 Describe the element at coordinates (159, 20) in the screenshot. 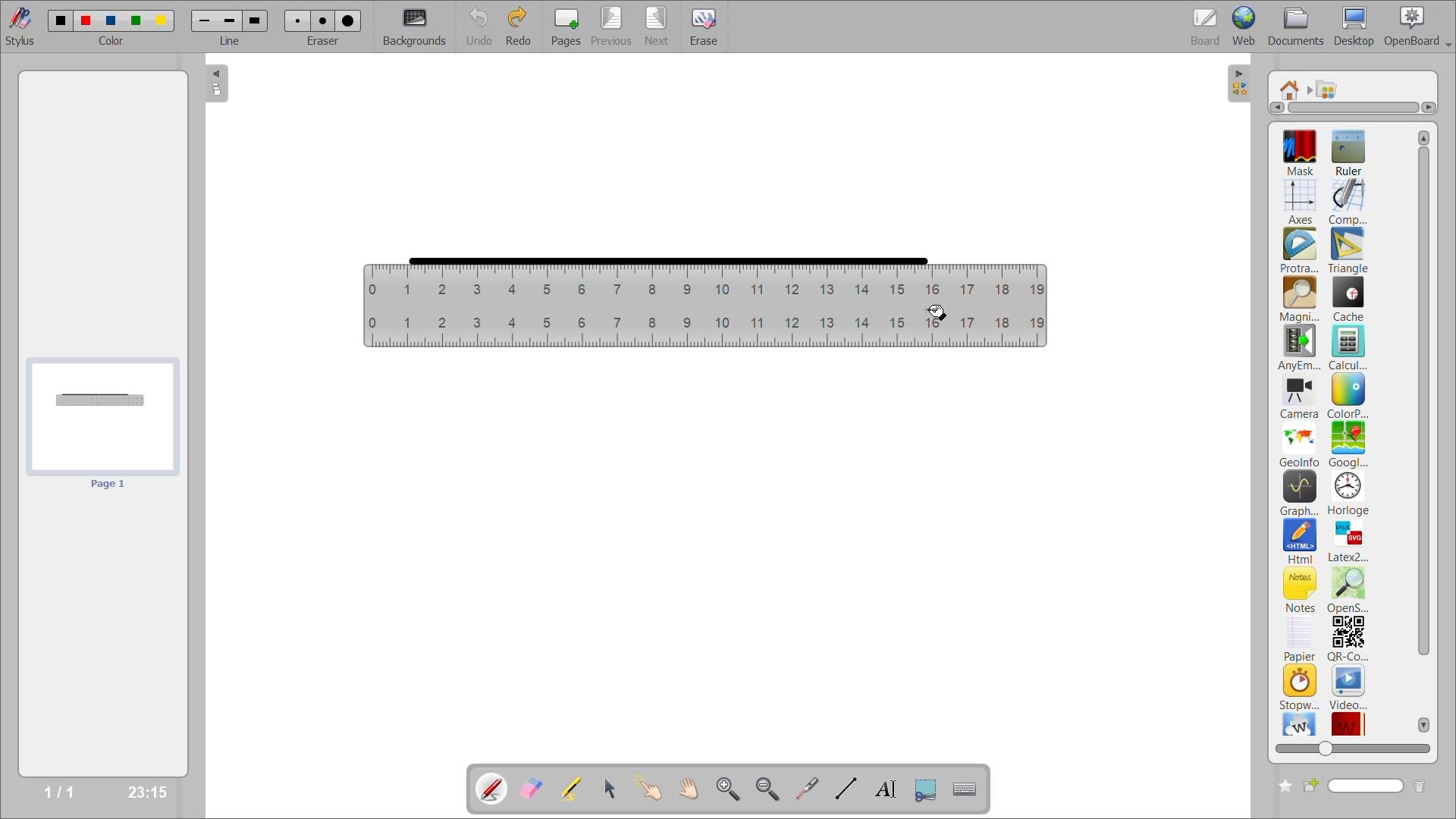

I see `color 5` at that location.